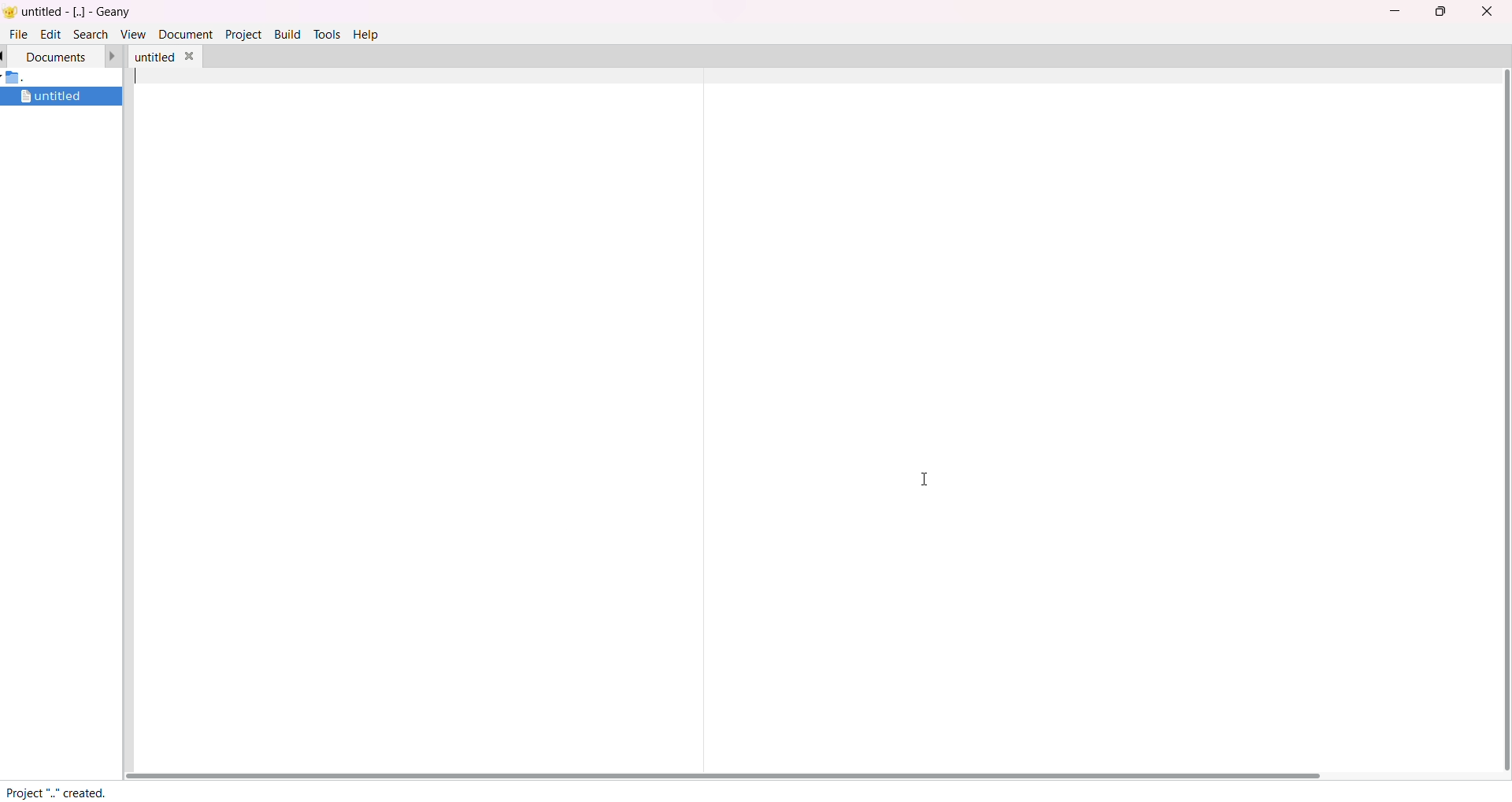 This screenshot has width=1512, height=802. What do you see at coordinates (88, 10) in the screenshot?
I see `untitled- [..]- Geany` at bounding box center [88, 10].